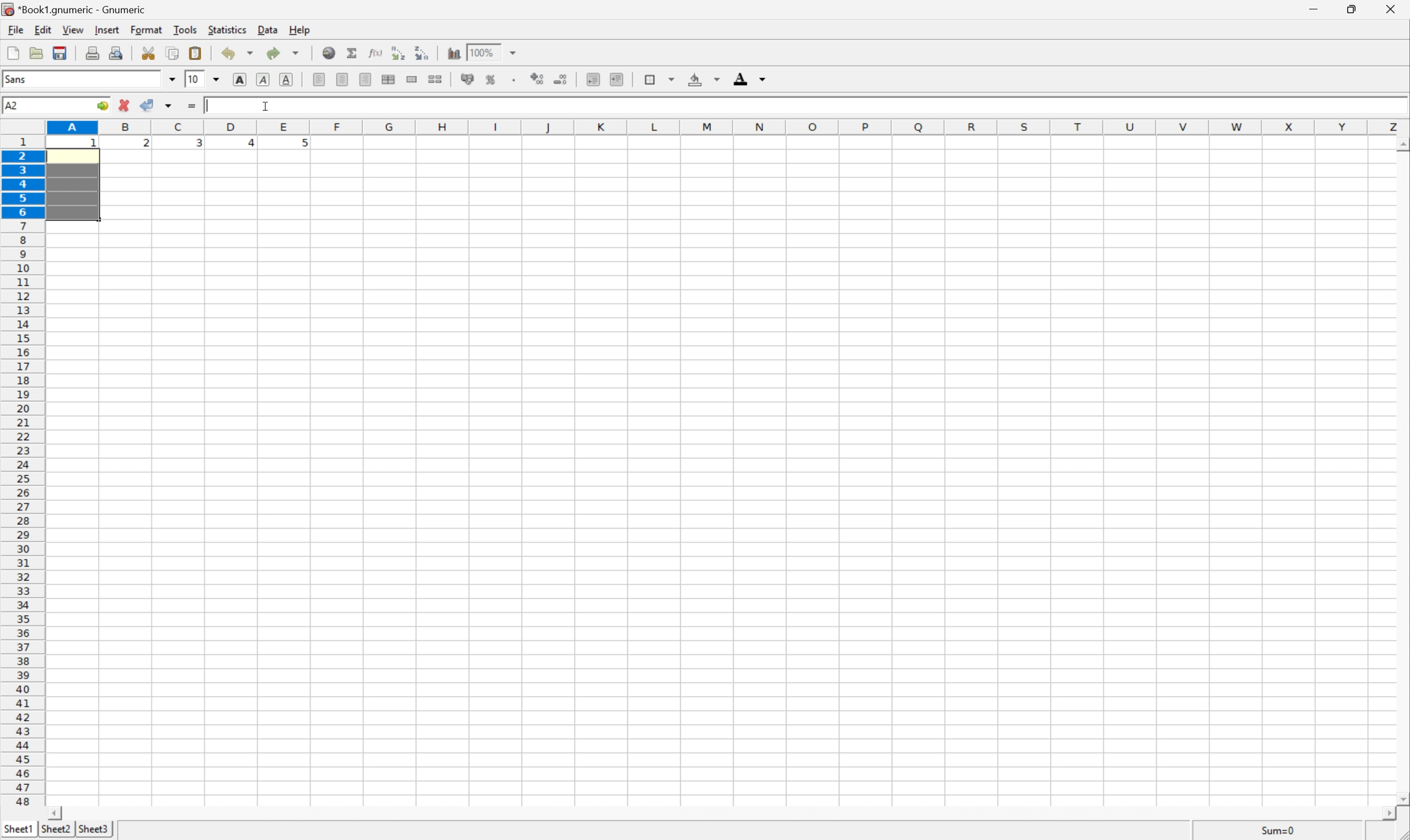  What do you see at coordinates (242, 79) in the screenshot?
I see `bold` at bounding box center [242, 79].